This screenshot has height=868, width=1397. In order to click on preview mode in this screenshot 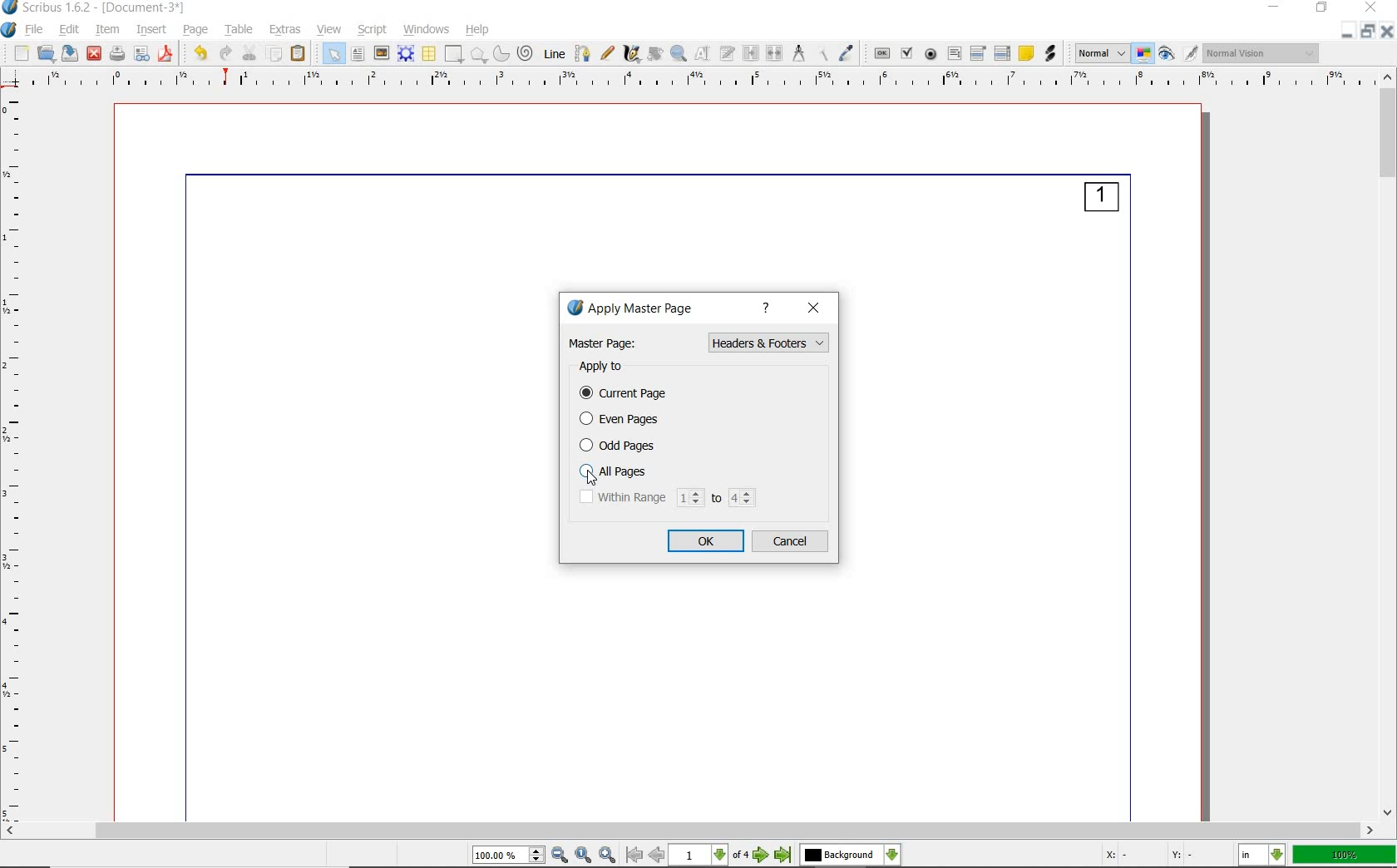, I will do `click(1180, 52)`.